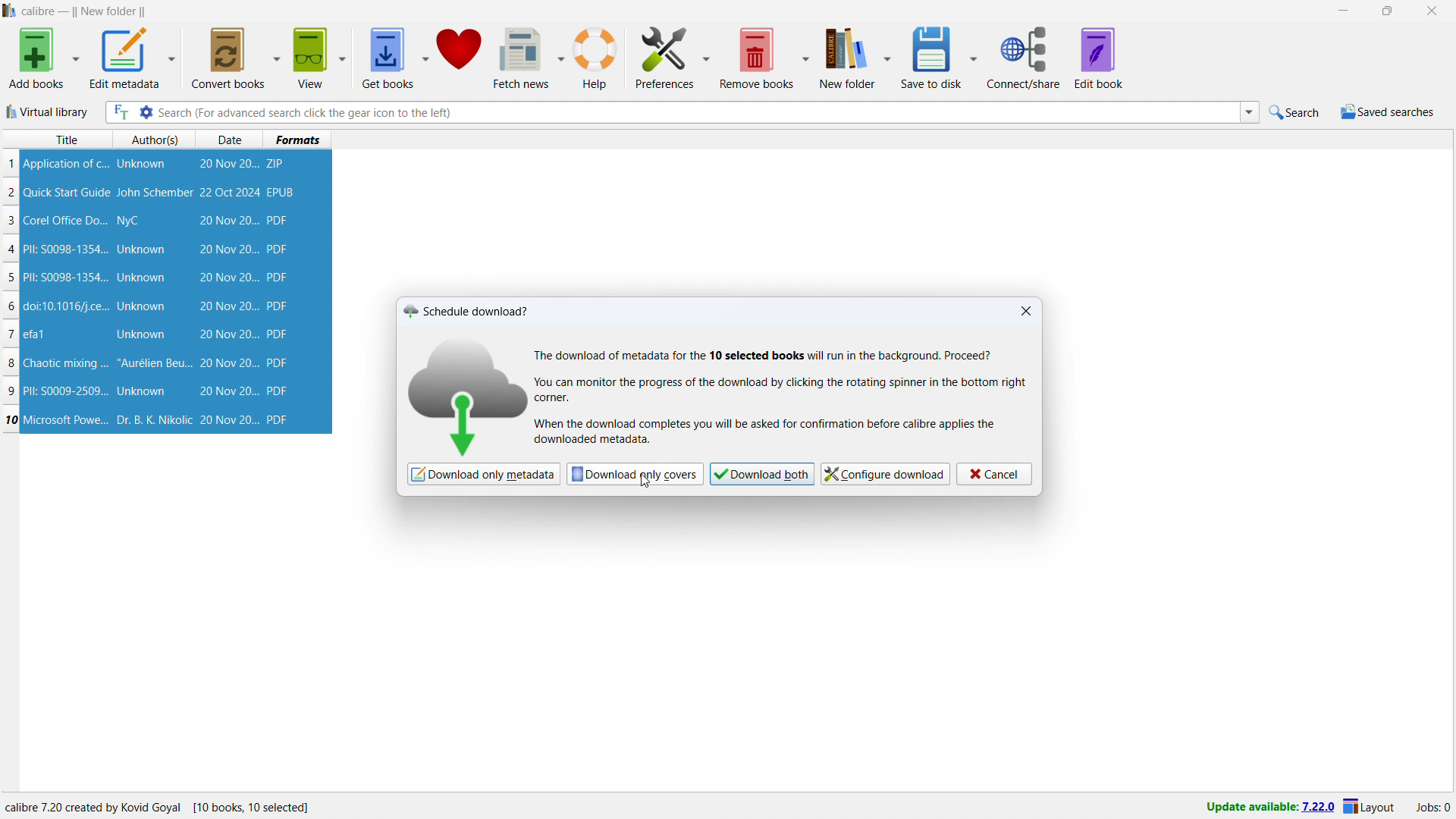 The width and height of the screenshot is (1456, 819). I want to click on edit book, so click(1100, 58).